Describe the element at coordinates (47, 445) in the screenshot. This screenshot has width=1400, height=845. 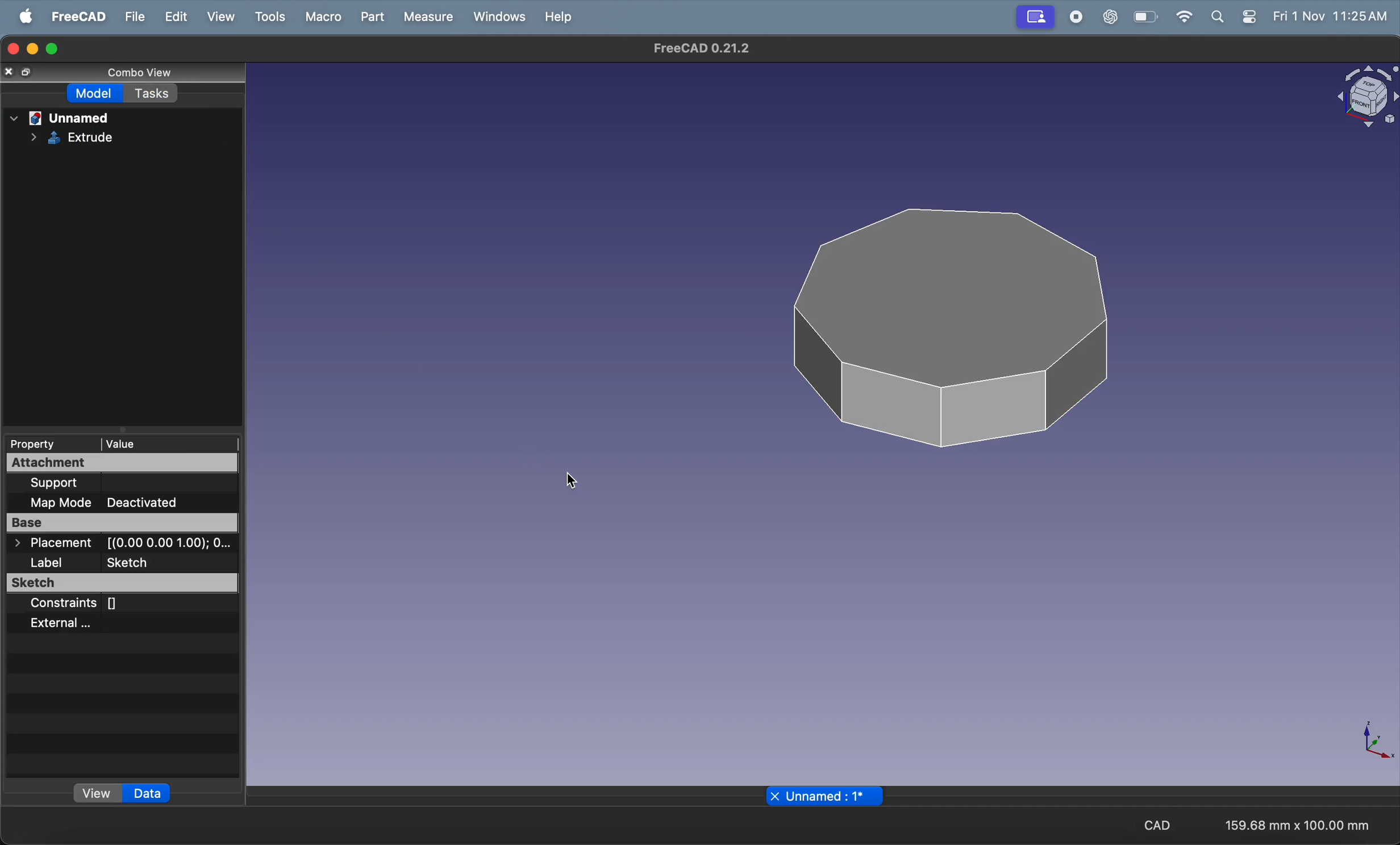
I see `property` at that location.